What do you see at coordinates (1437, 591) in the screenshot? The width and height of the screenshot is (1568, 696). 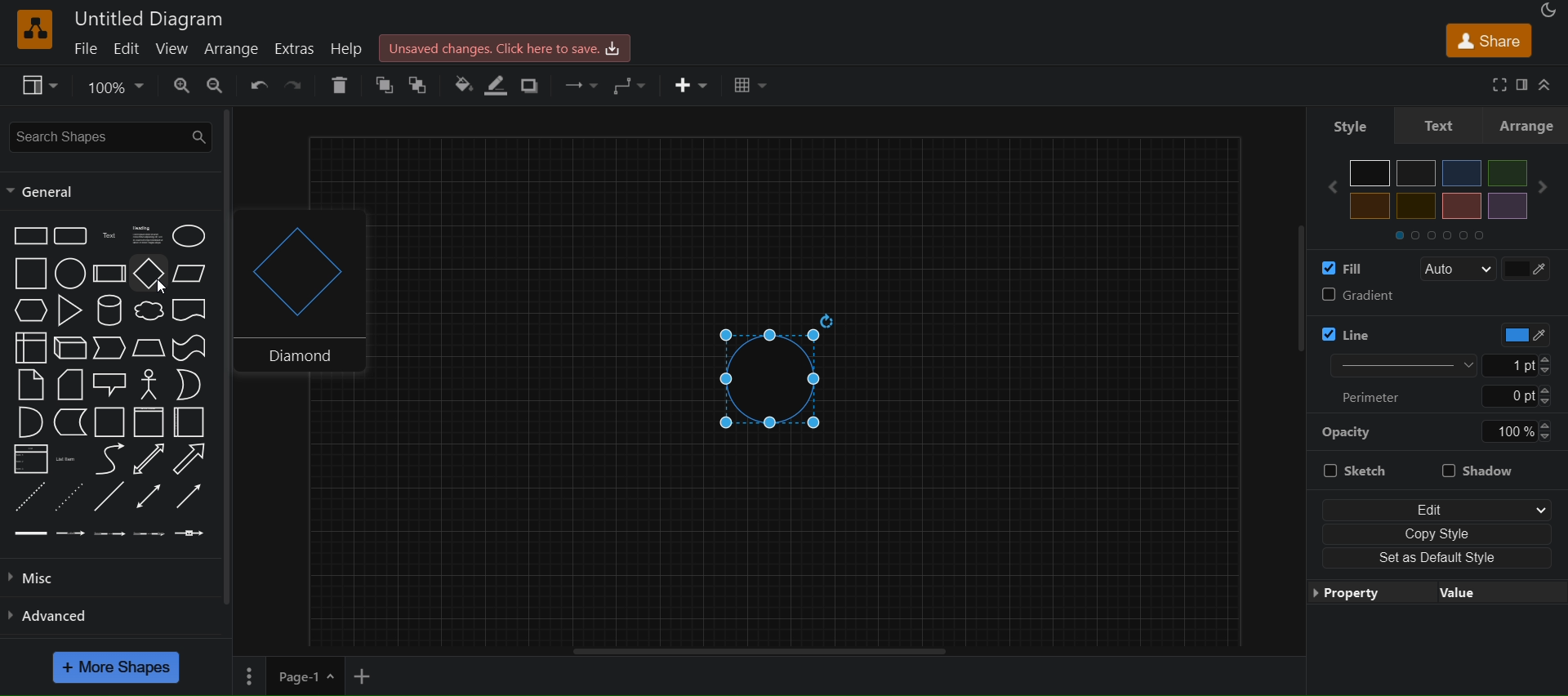 I see `property` at bounding box center [1437, 591].